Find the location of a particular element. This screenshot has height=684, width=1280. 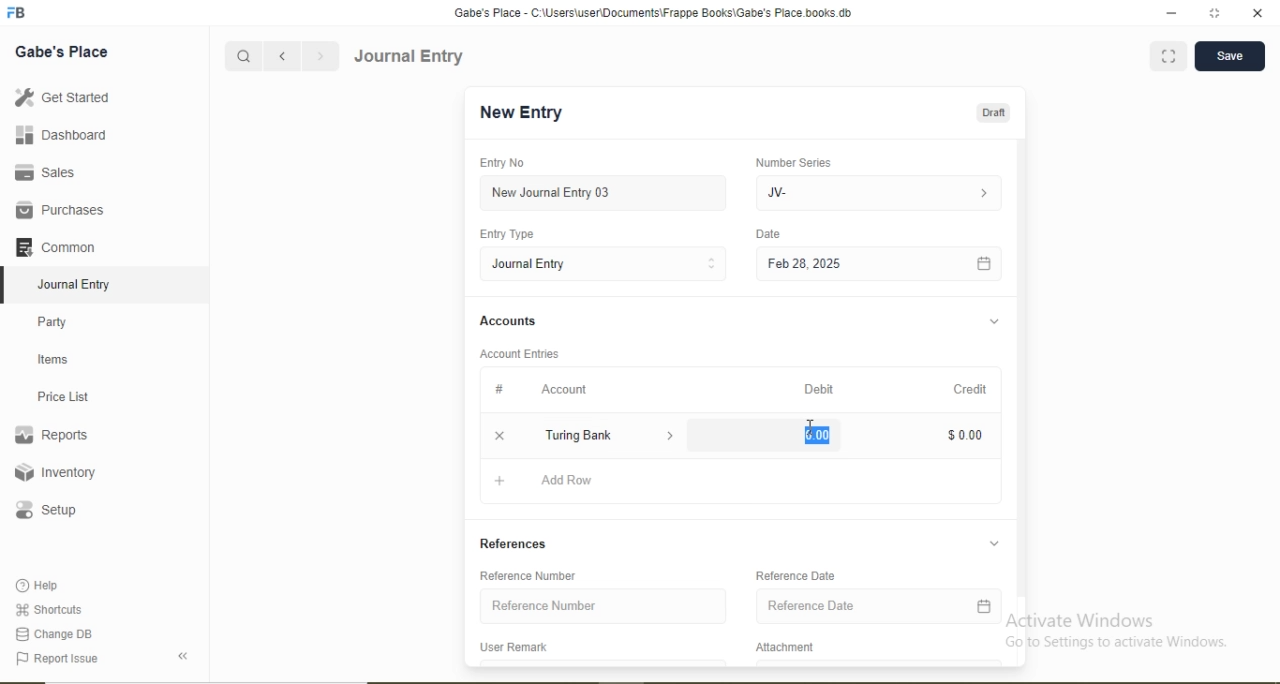

minimize is located at coordinates (1169, 14).